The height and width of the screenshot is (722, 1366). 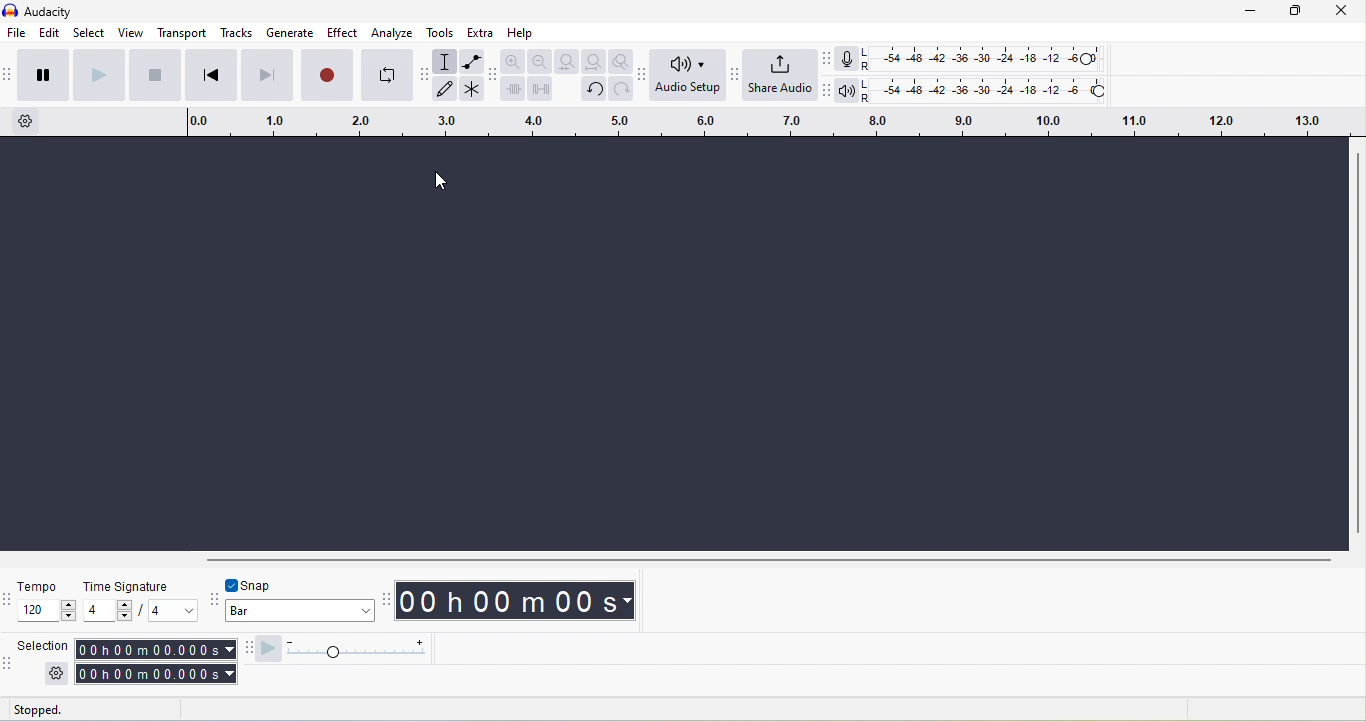 What do you see at coordinates (566, 61) in the screenshot?
I see `fit selection to width` at bounding box center [566, 61].